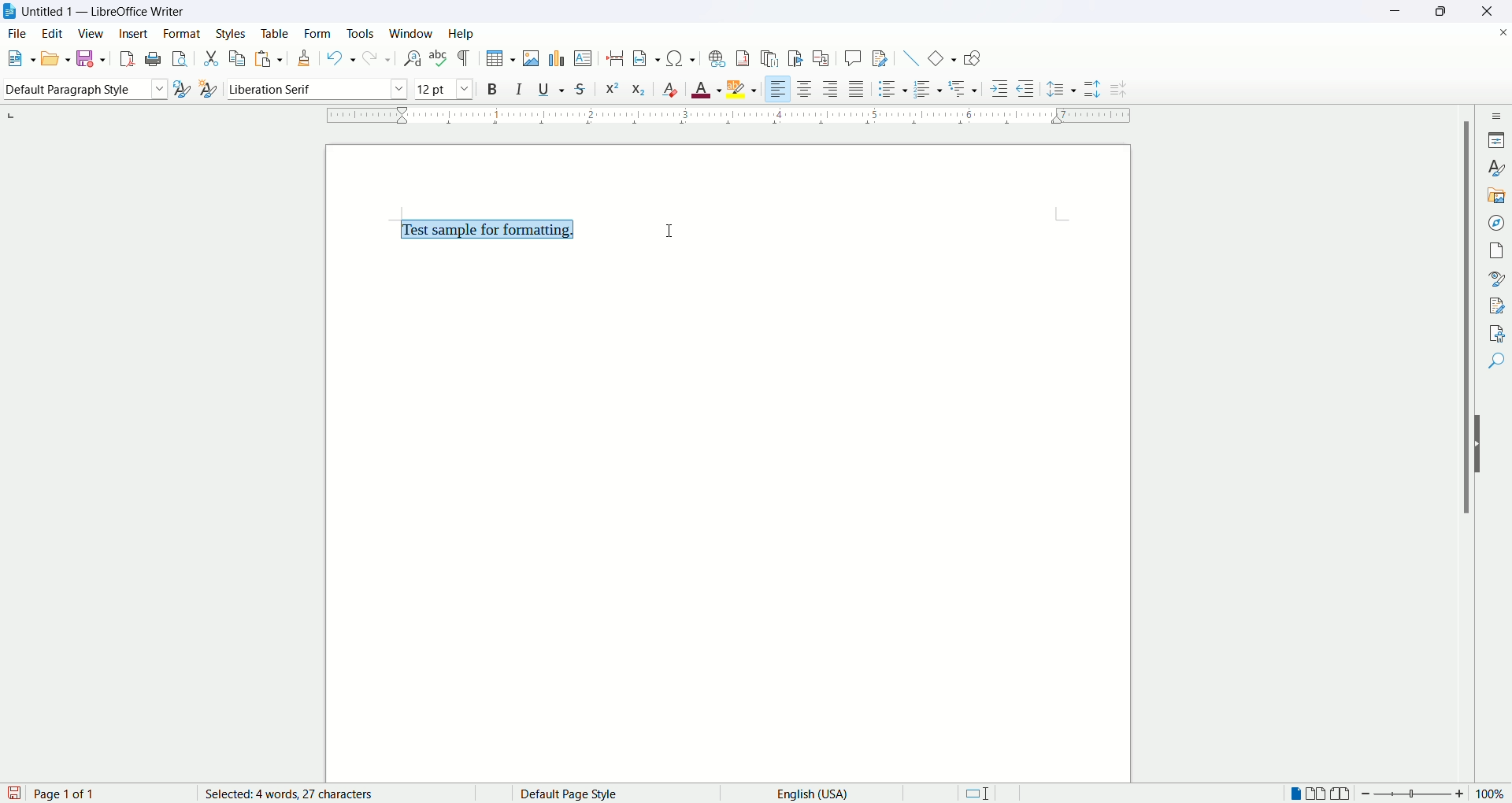 The height and width of the screenshot is (803, 1512). Describe the element at coordinates (465, 33) in the screenshot. I see `help` at that location.